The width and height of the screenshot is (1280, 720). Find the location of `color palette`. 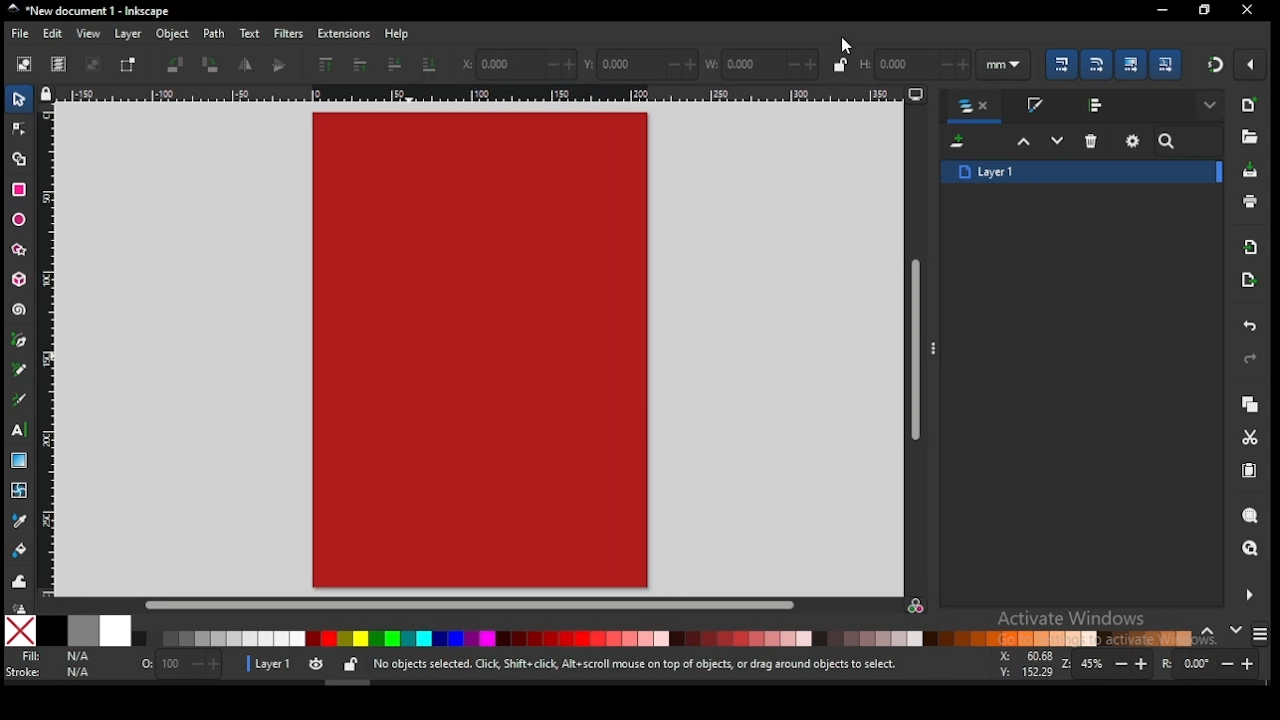

color palette is located at coordinates (662, 638).